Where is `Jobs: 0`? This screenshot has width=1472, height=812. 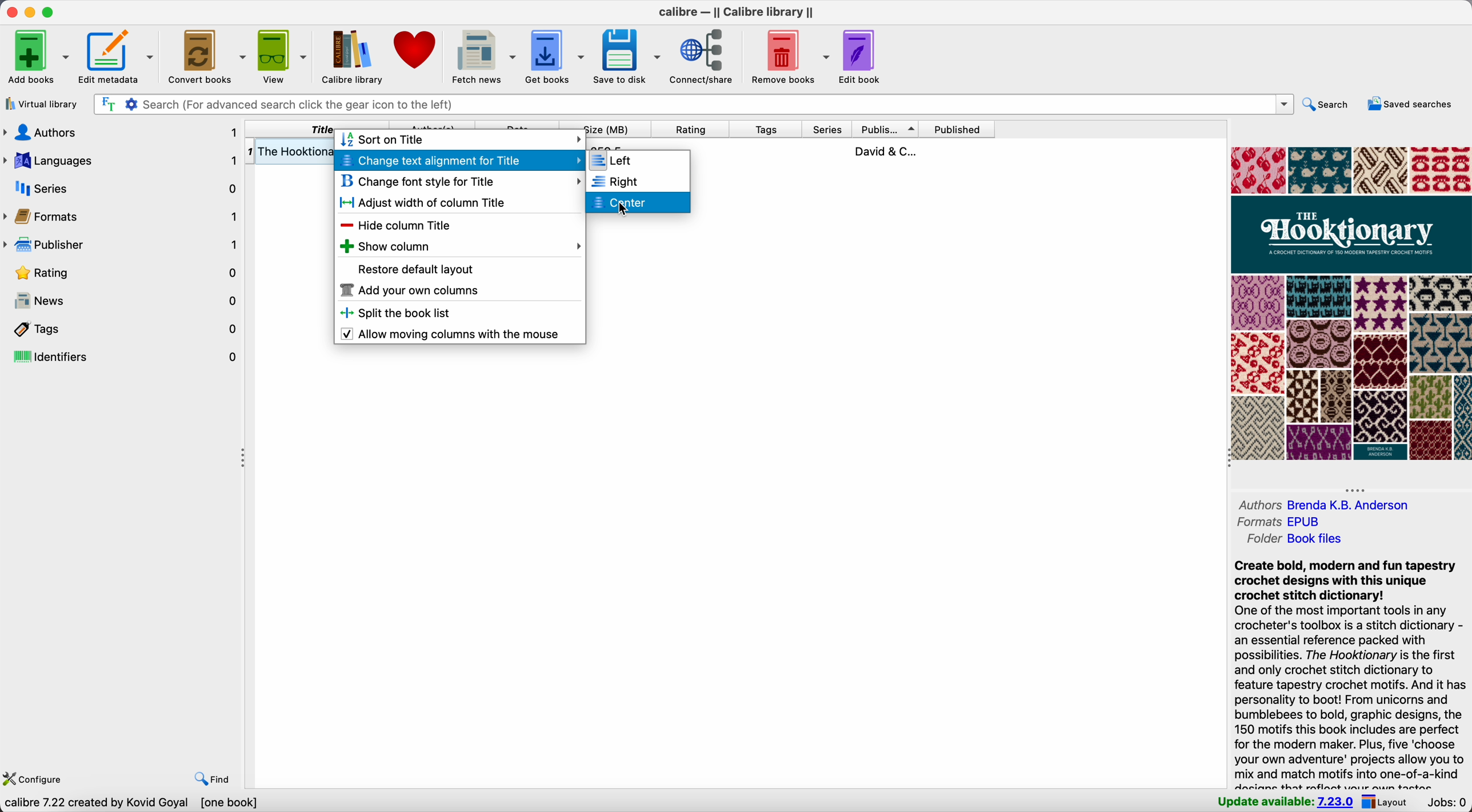 Jobs: 0 is located at coordinates (1446, 802).